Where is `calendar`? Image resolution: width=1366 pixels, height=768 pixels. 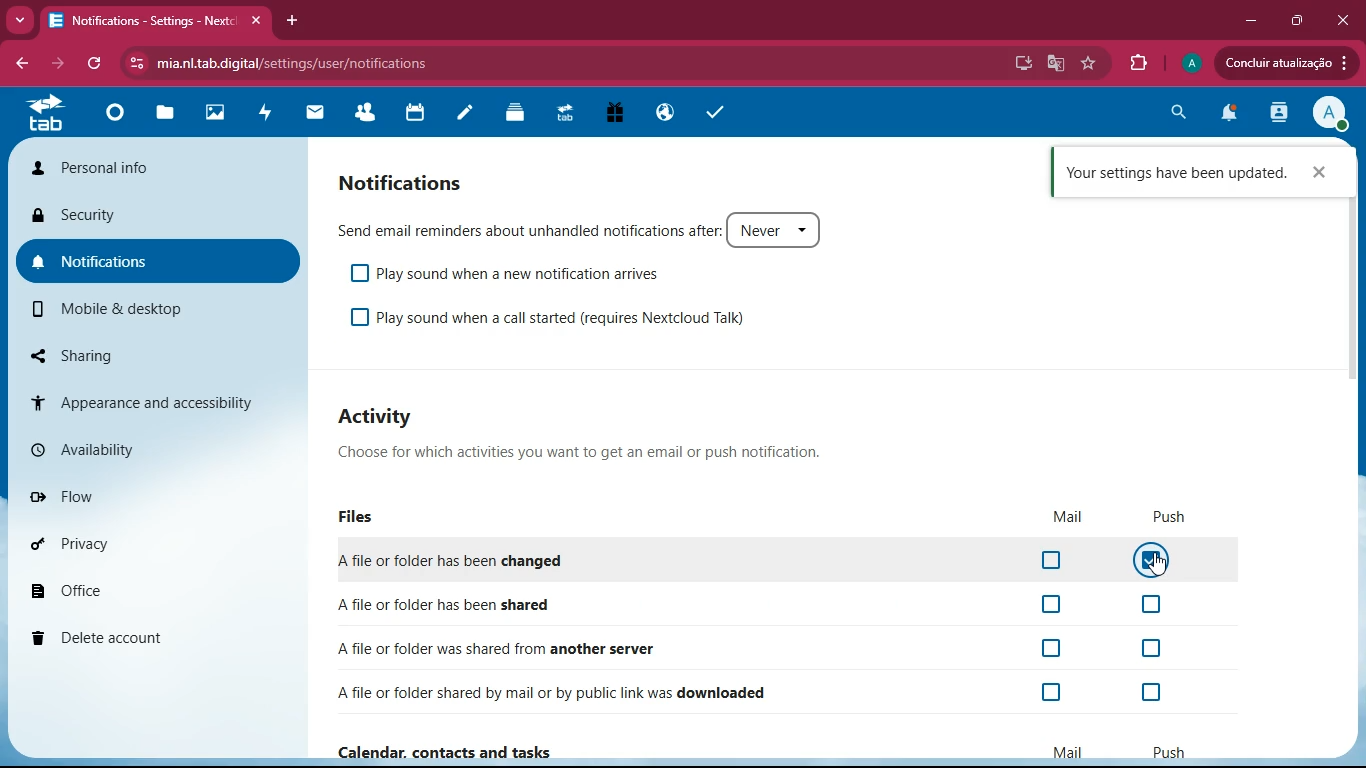
calendar is located at coordinates (415, 112).